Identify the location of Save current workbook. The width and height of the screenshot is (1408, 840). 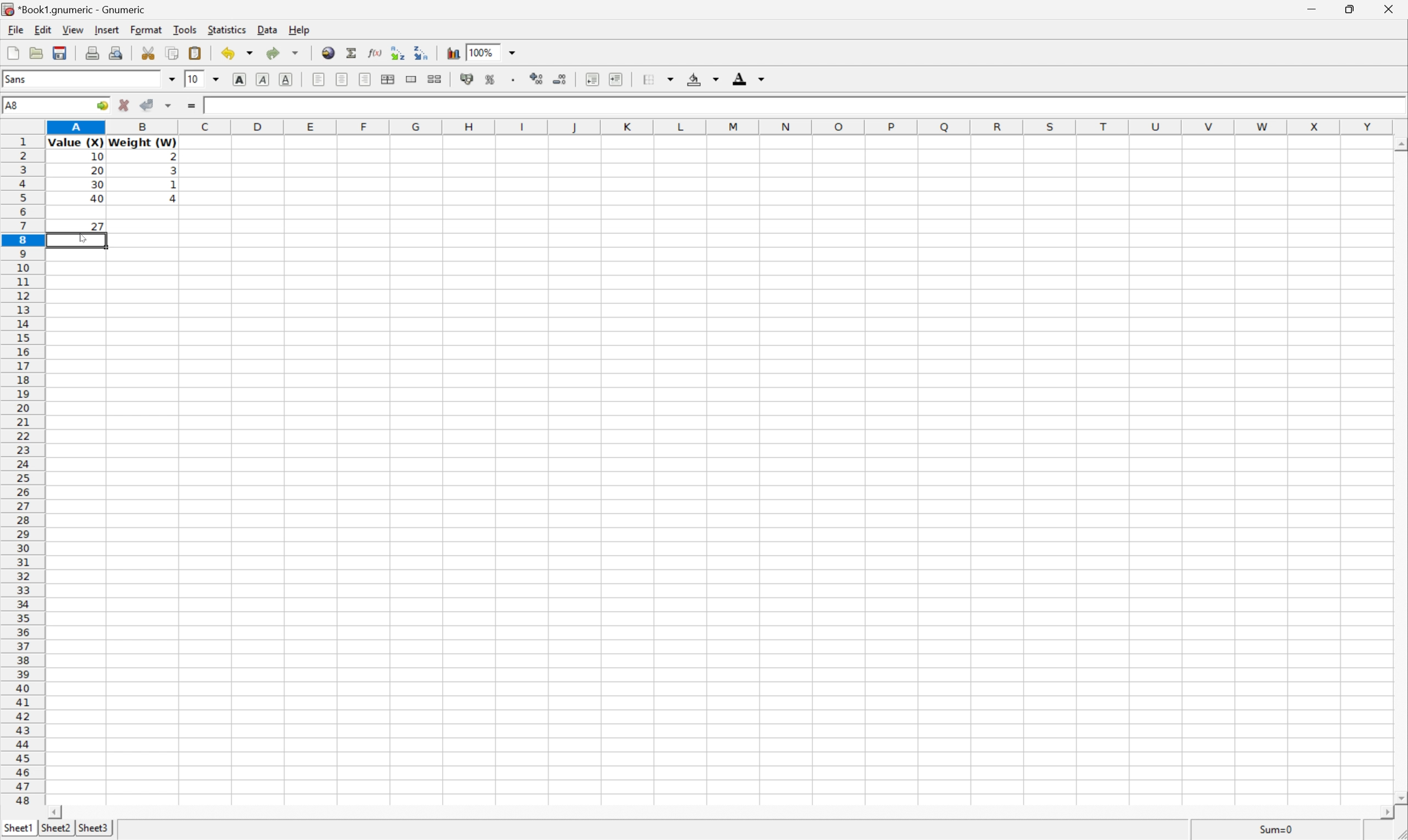
(61, 54).